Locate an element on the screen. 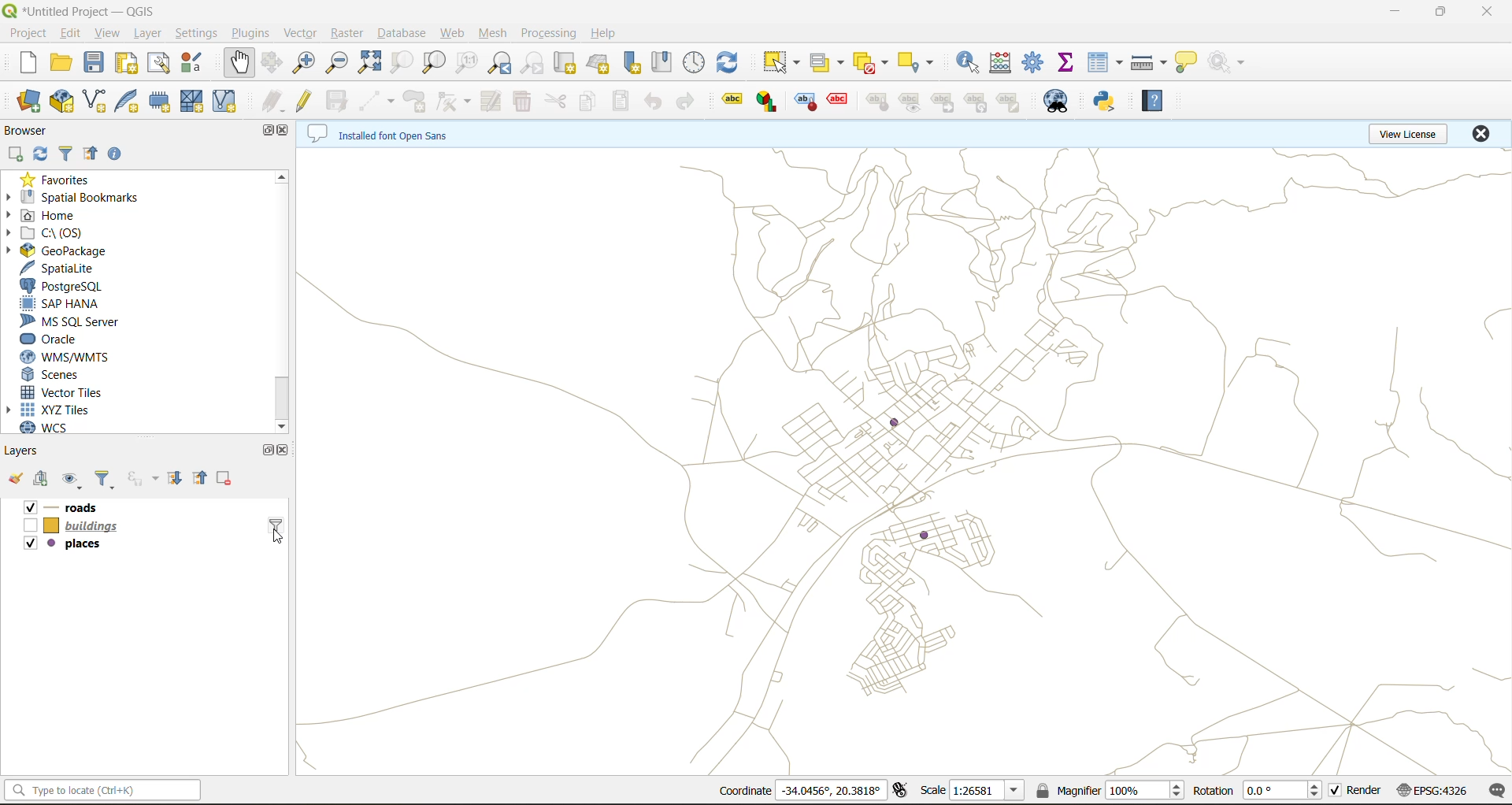 The width and height of the screenshot is (1512, 805). c\:os is located at coordinates (54, 233).